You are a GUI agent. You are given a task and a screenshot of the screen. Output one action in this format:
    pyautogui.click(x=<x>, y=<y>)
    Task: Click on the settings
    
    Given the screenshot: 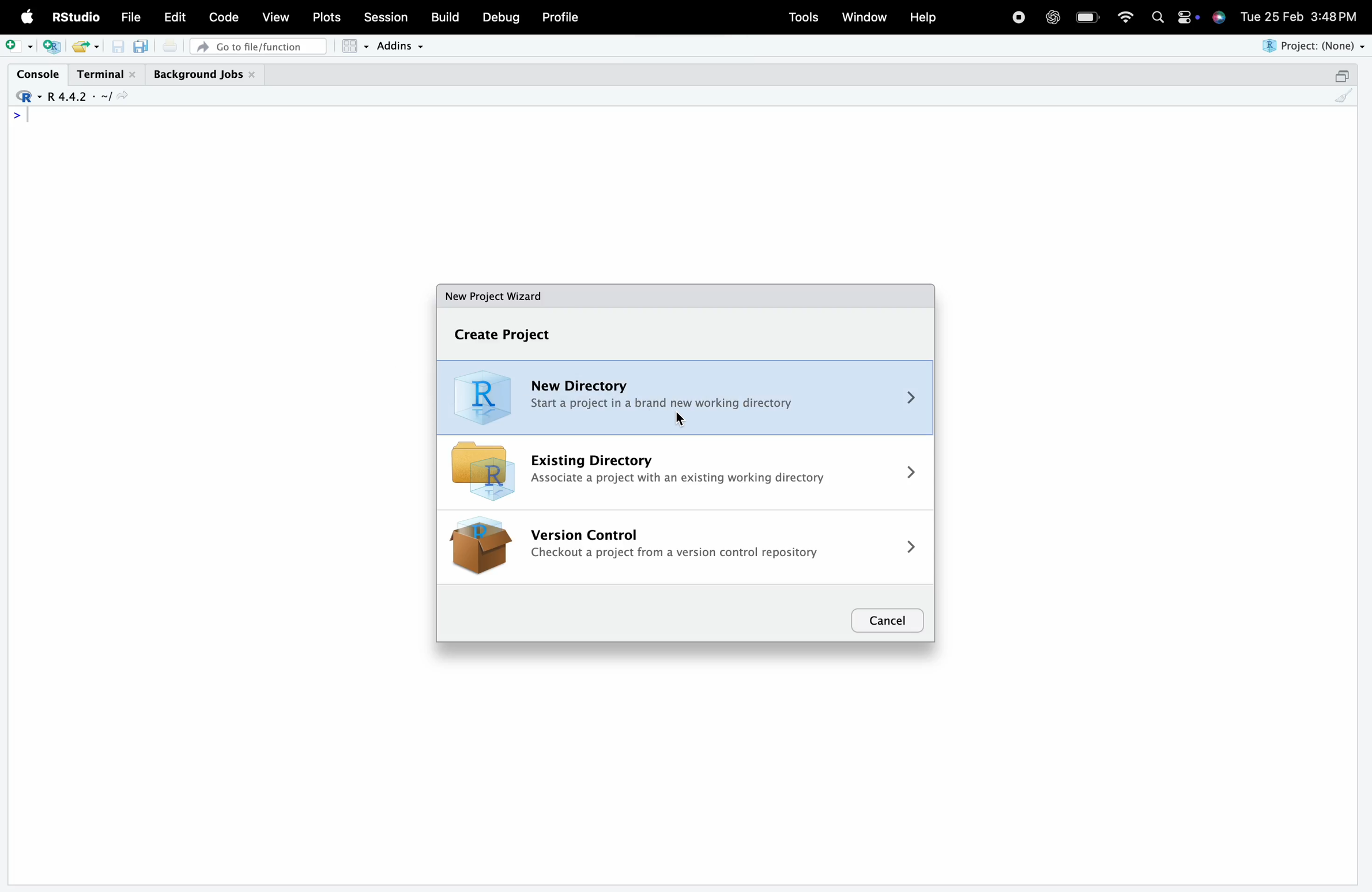 What is the action you would take?
    pyautogui.click(x=1187, y=17)
    